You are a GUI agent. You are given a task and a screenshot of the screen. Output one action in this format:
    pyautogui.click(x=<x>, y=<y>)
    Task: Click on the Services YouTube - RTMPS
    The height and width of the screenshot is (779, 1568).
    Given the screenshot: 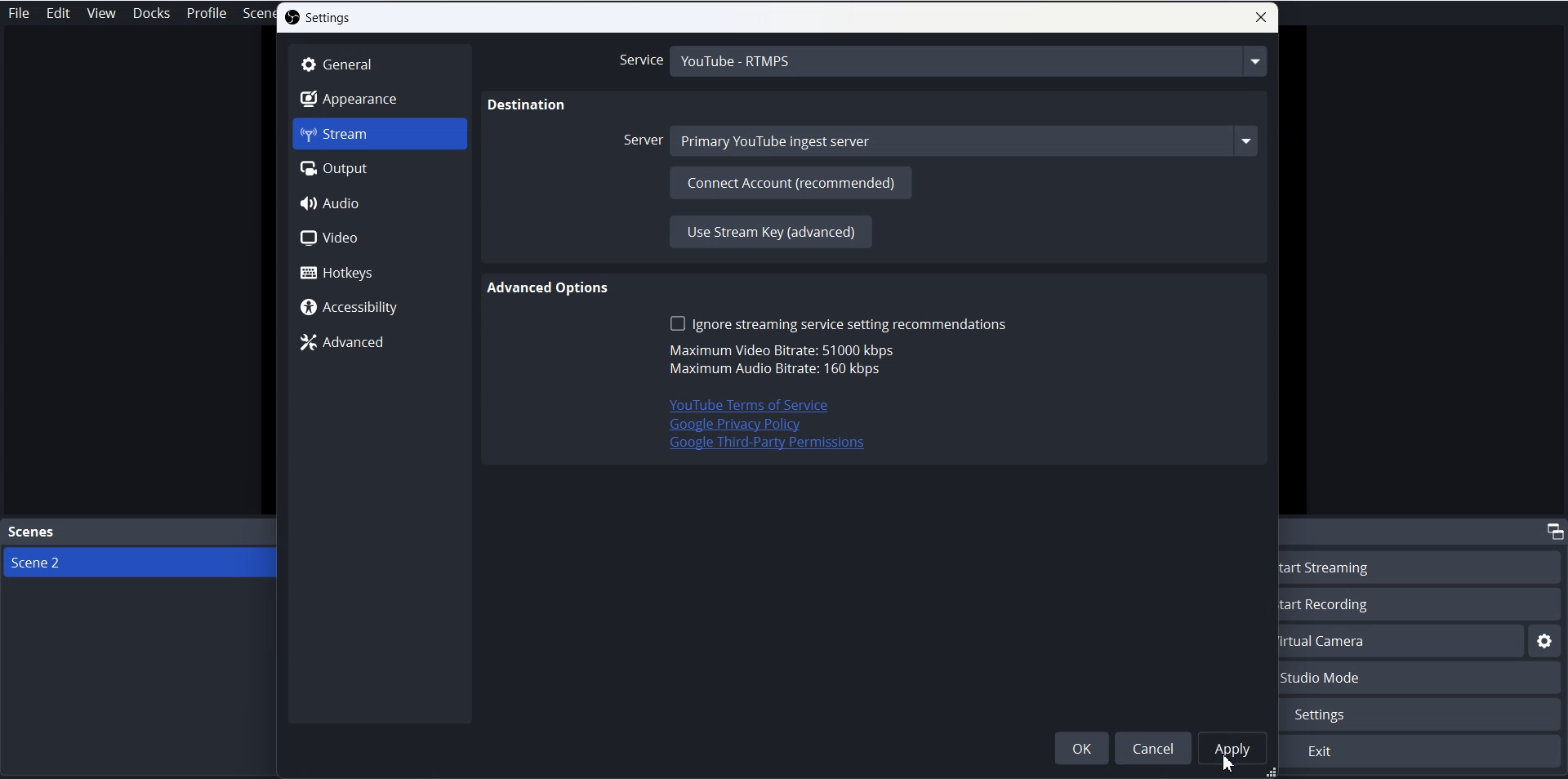 What is the action you would take?
    pyautogui.click(x=941, y=62)
    